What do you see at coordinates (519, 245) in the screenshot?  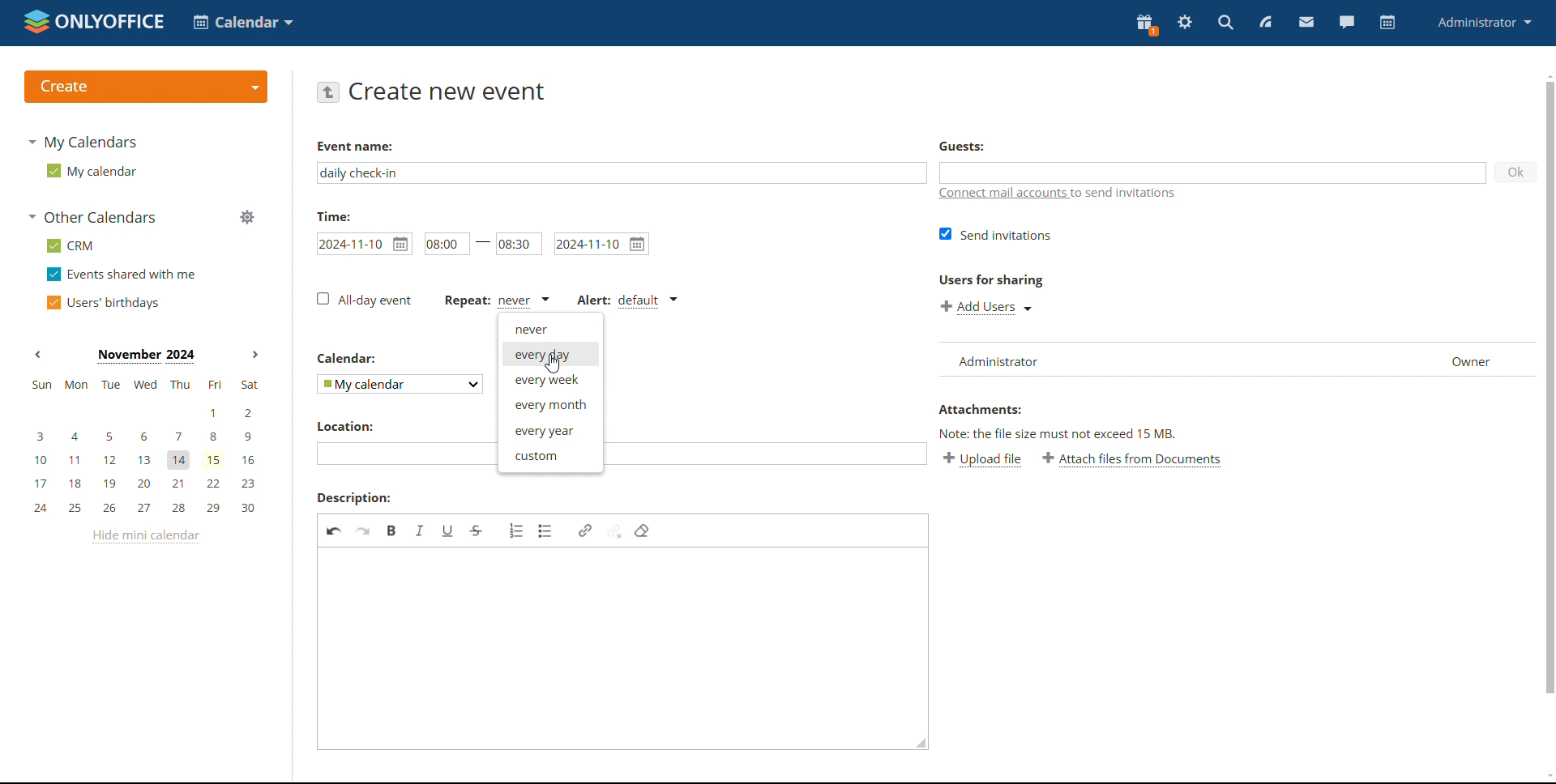 I see `end time` at bounding box center [519, 245].